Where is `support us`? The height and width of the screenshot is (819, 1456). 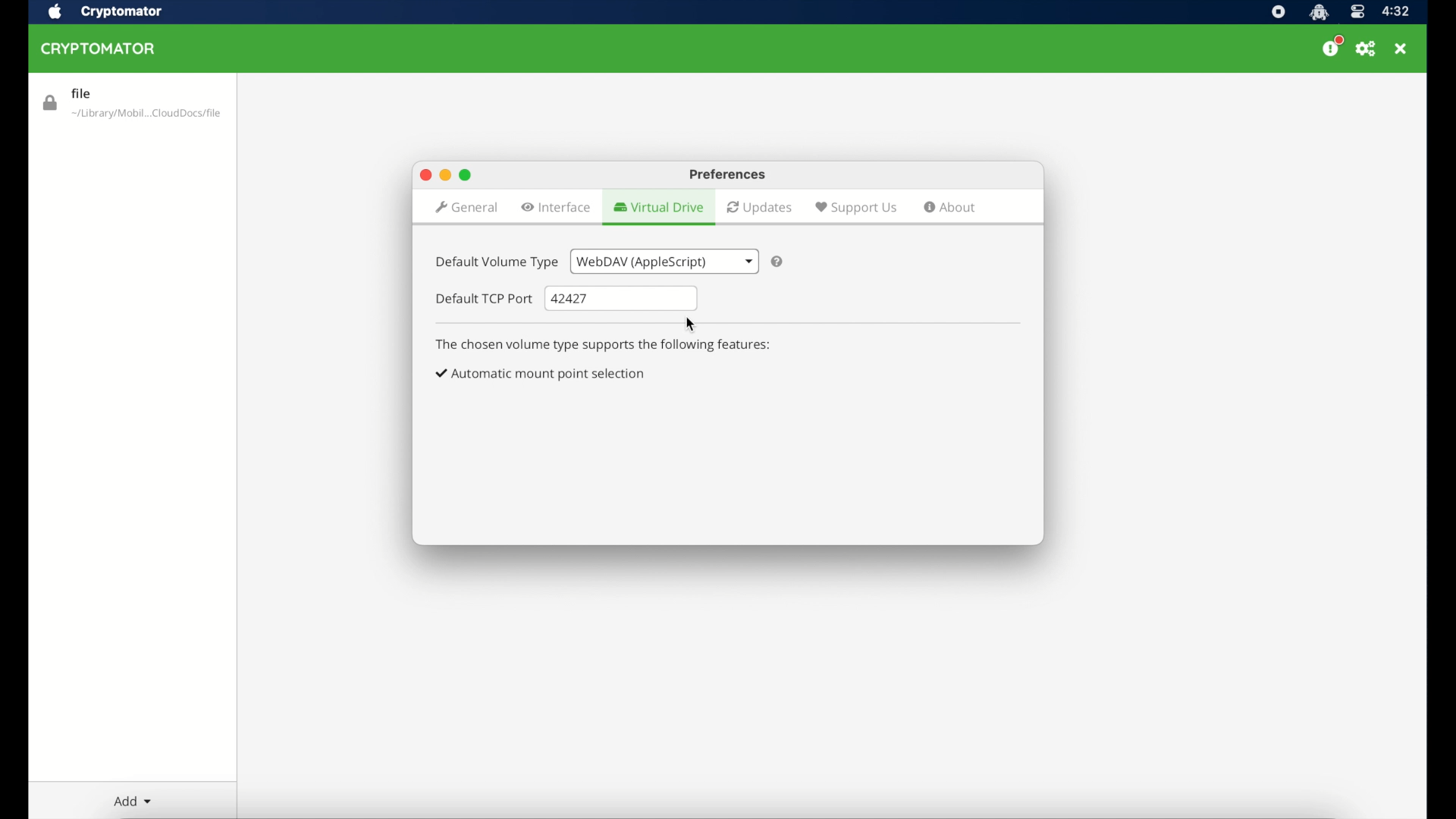 support us is located at coordinates (855, 207).